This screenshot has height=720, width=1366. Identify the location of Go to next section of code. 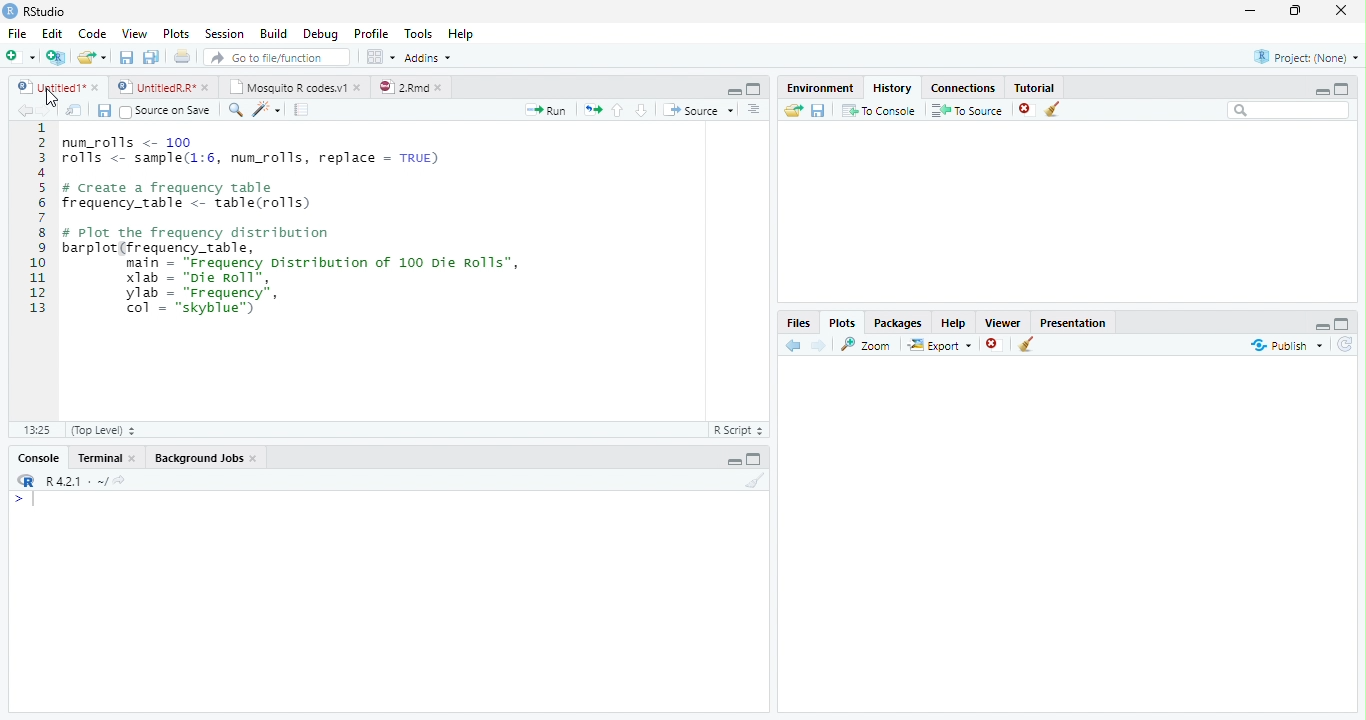
(642, 110).